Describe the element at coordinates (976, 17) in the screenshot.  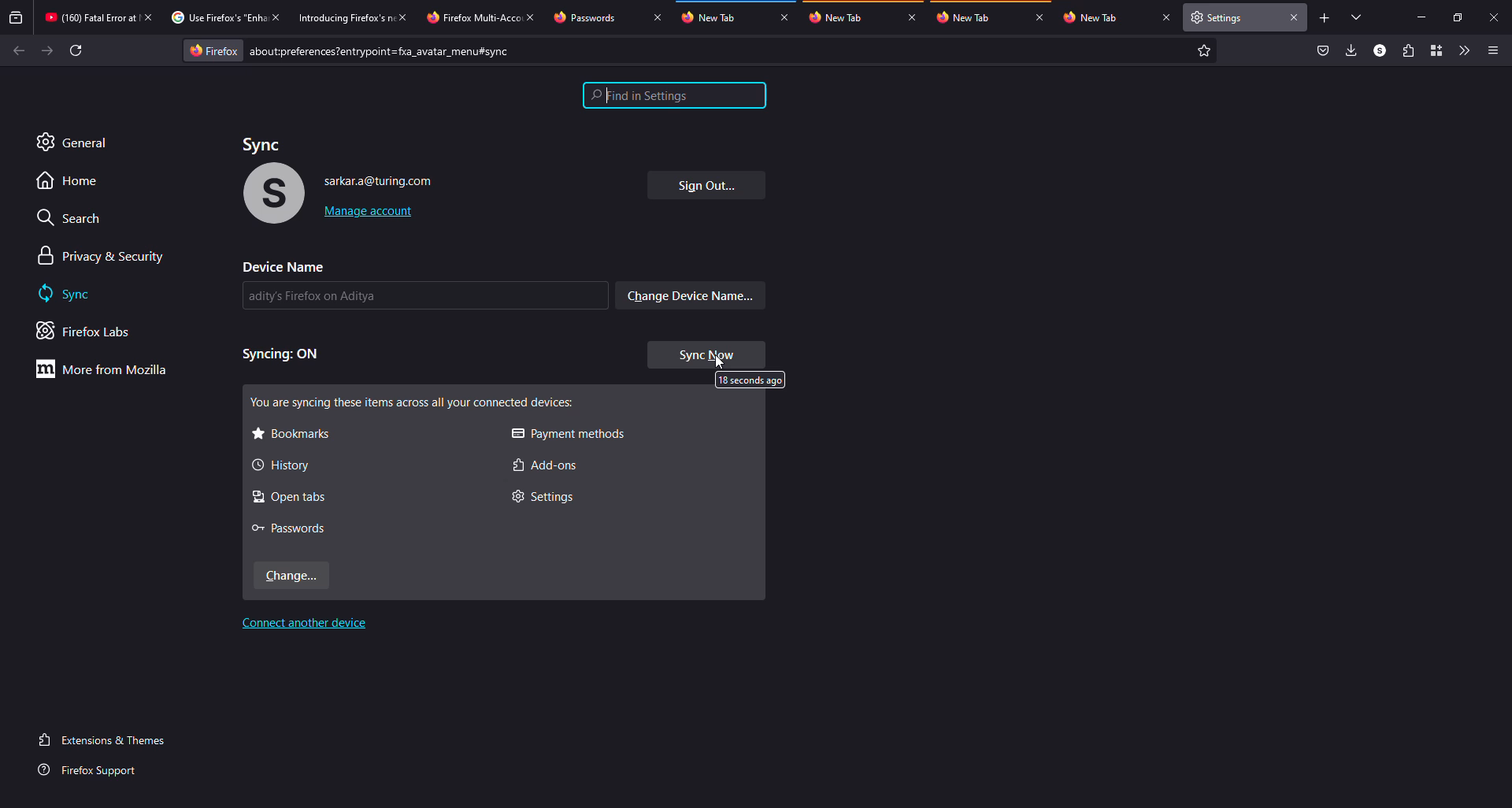
I see `tab` at that location.